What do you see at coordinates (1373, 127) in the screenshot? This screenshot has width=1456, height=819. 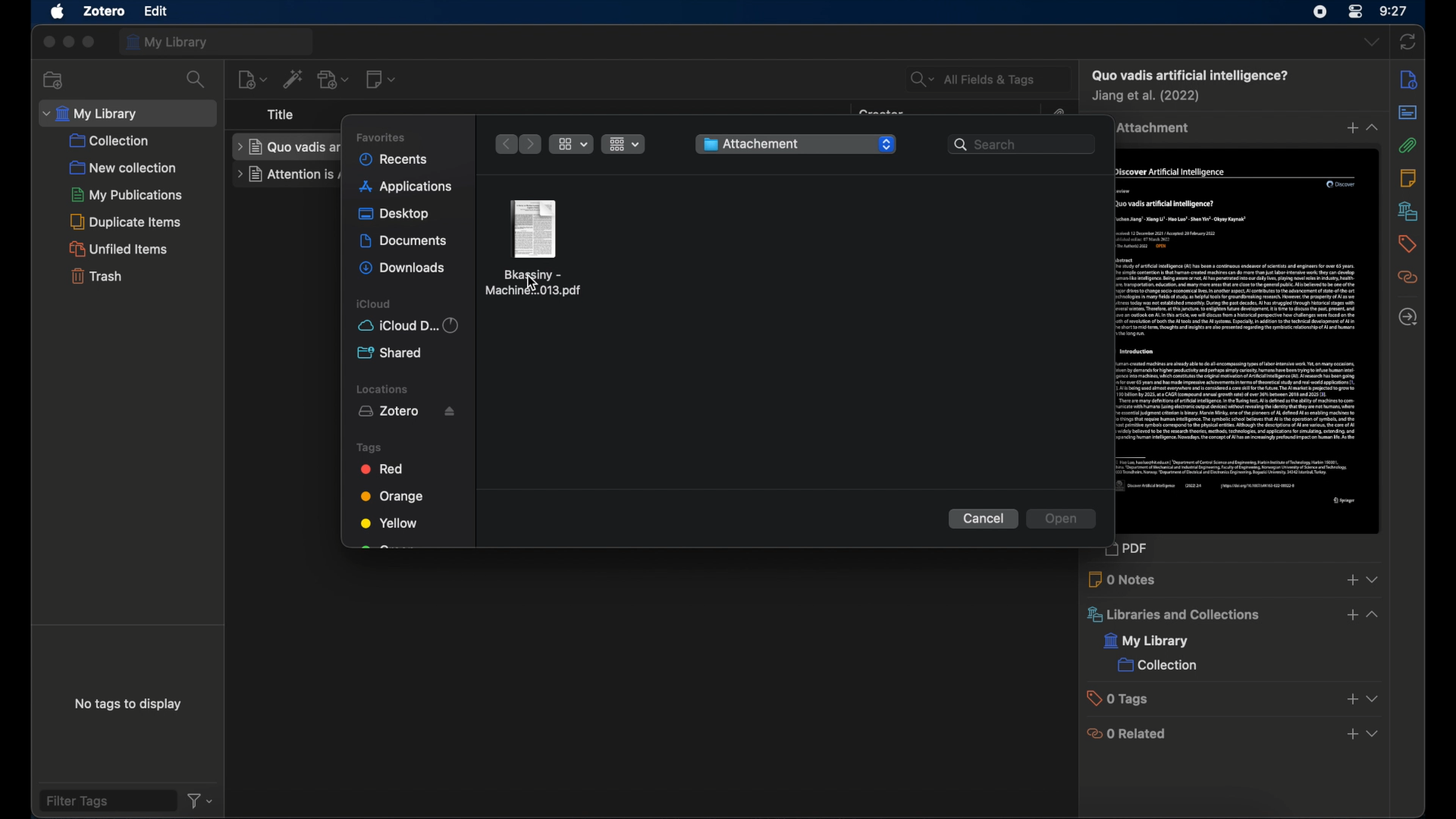 I see `dropdown menu` at bounding box center [1373, 127].